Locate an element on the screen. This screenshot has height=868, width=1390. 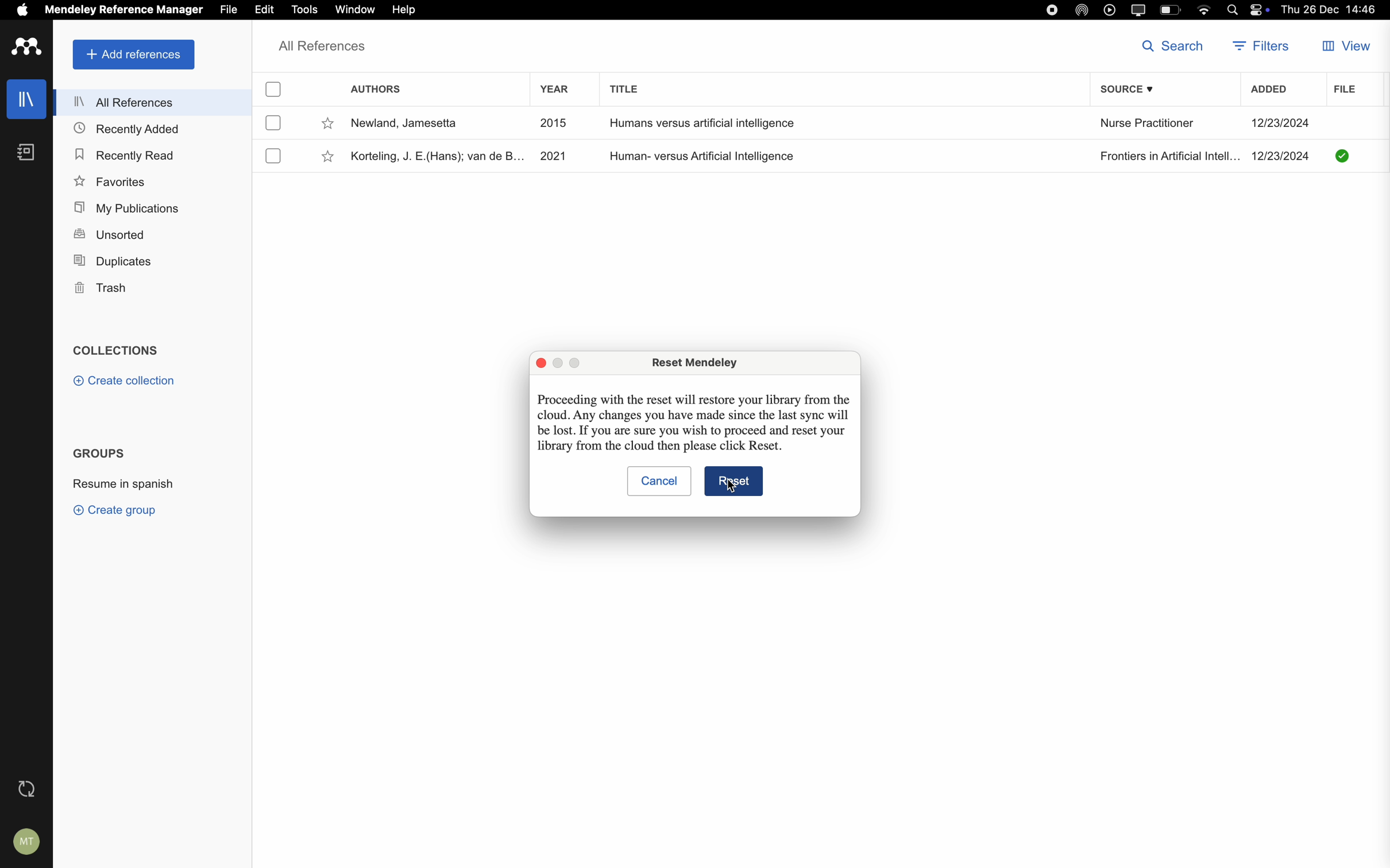
my publications is located at coordinates (130, 208).